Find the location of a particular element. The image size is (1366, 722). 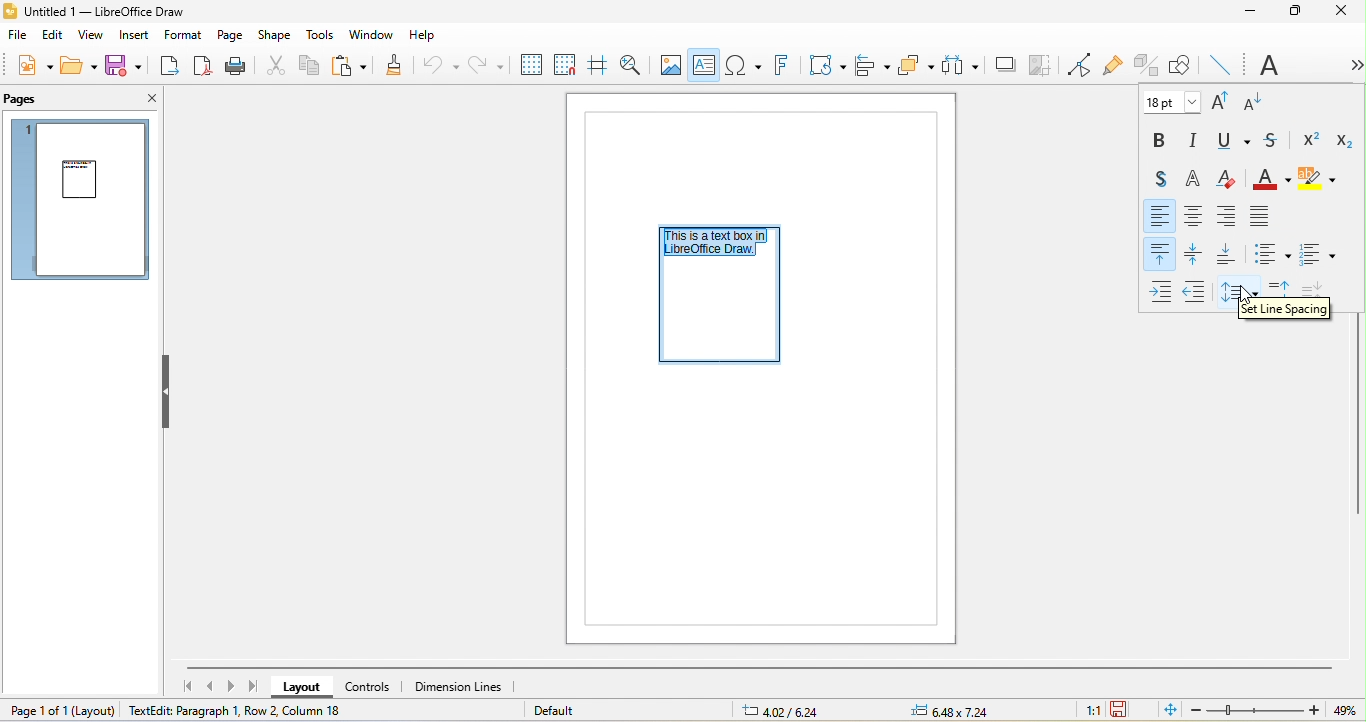

zoom is located at coordinates (1275, 710).